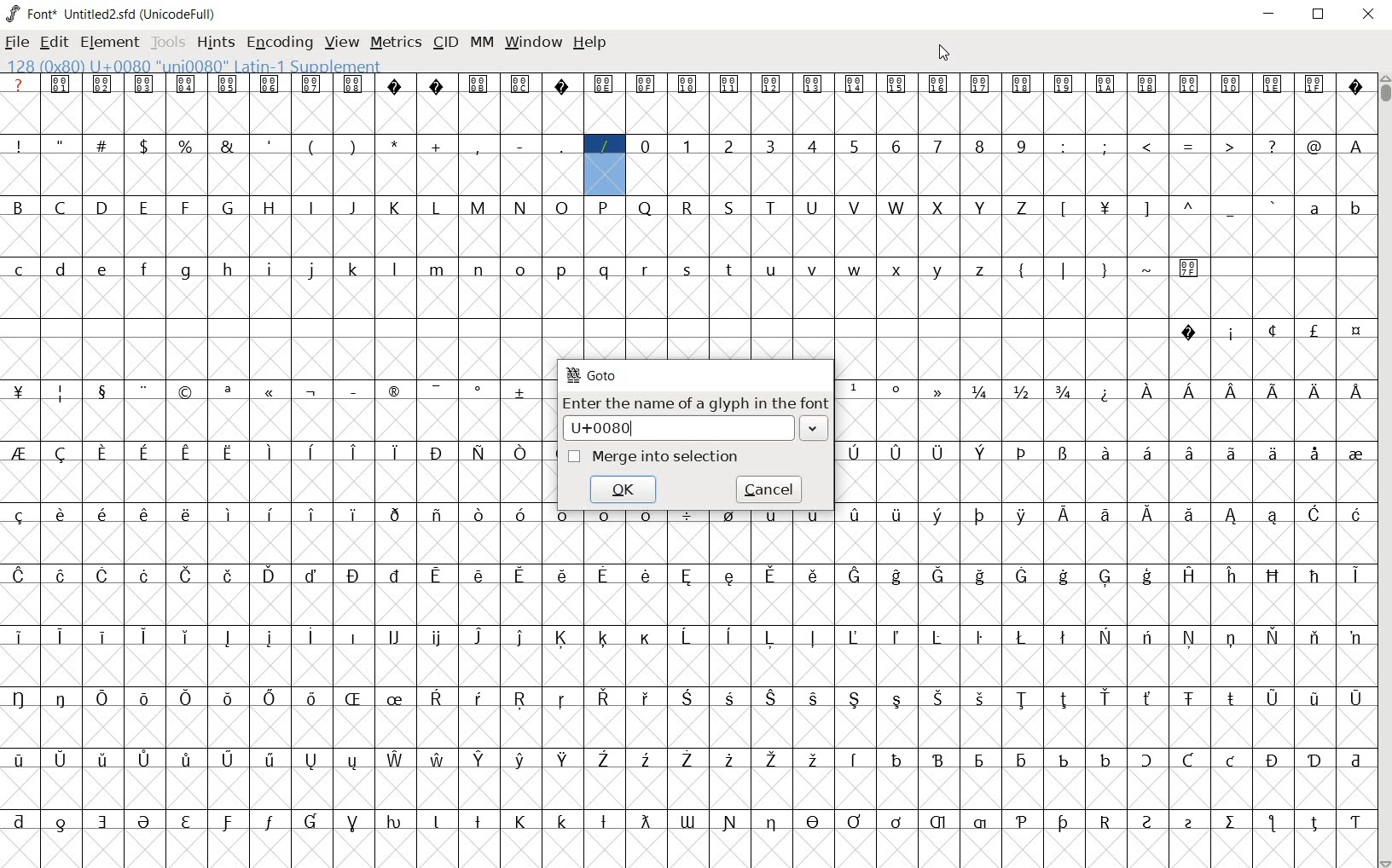 Image resolution: width=1392 pixels, height=868 pixels. What do you see at coordinates (181, 12) in the screenshot?
I see `Encoding` at bounding box center [181, 12].